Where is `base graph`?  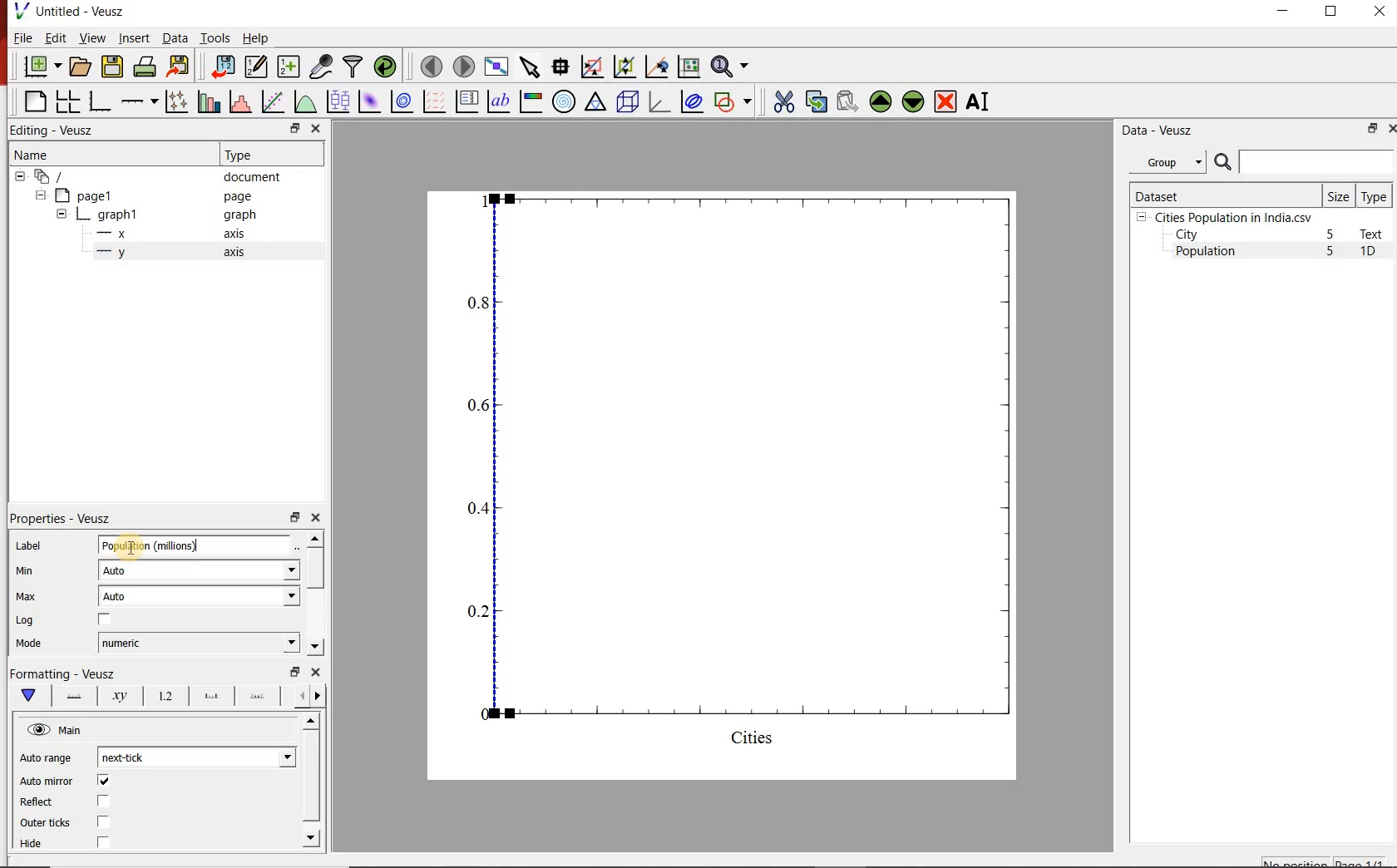
base graph is located at coordinates (98, 101).